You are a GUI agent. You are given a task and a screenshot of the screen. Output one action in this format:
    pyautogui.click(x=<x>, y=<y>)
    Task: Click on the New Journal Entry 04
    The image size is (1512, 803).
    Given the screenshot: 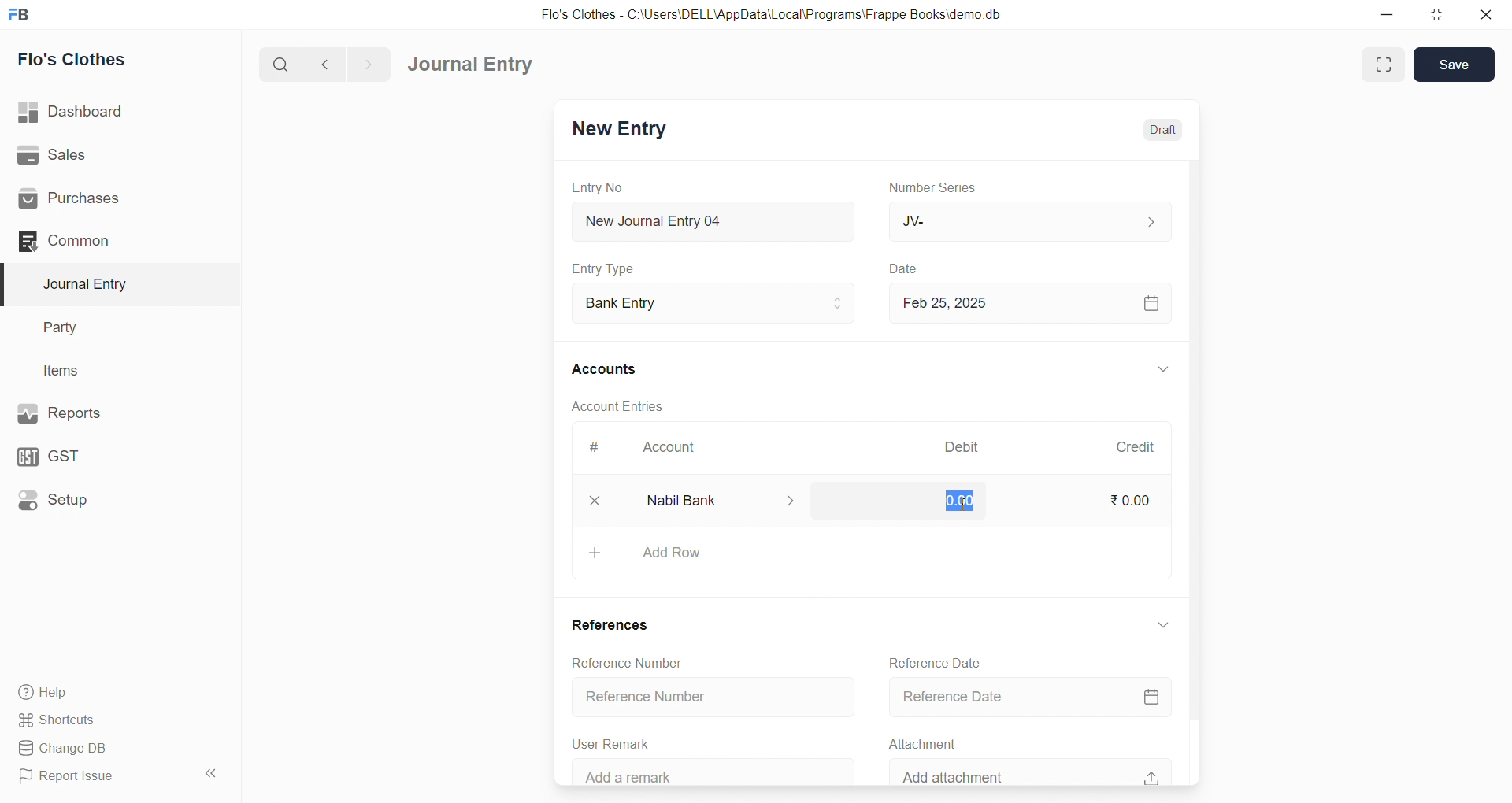 What is the action you would take?
    pyautogui.click(x=710, y=220)
    